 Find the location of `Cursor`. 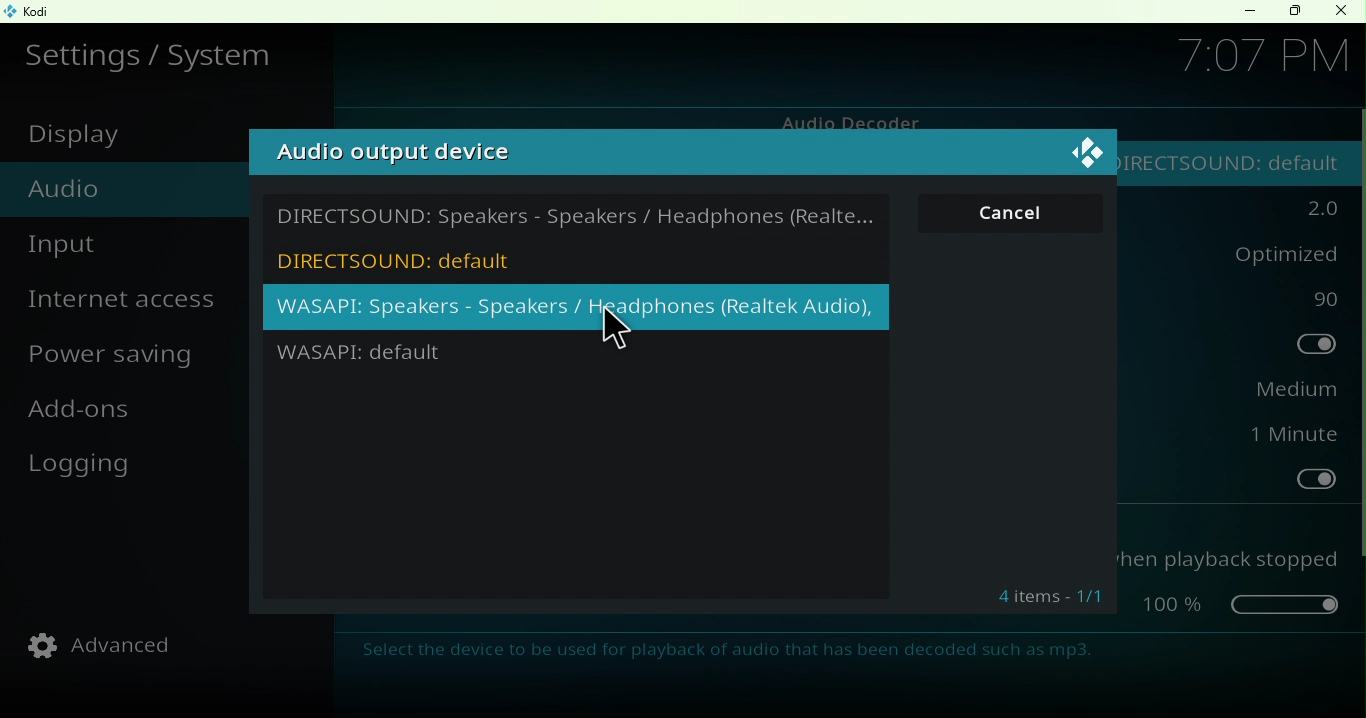

Cursor is located at coordinates (606, 327).